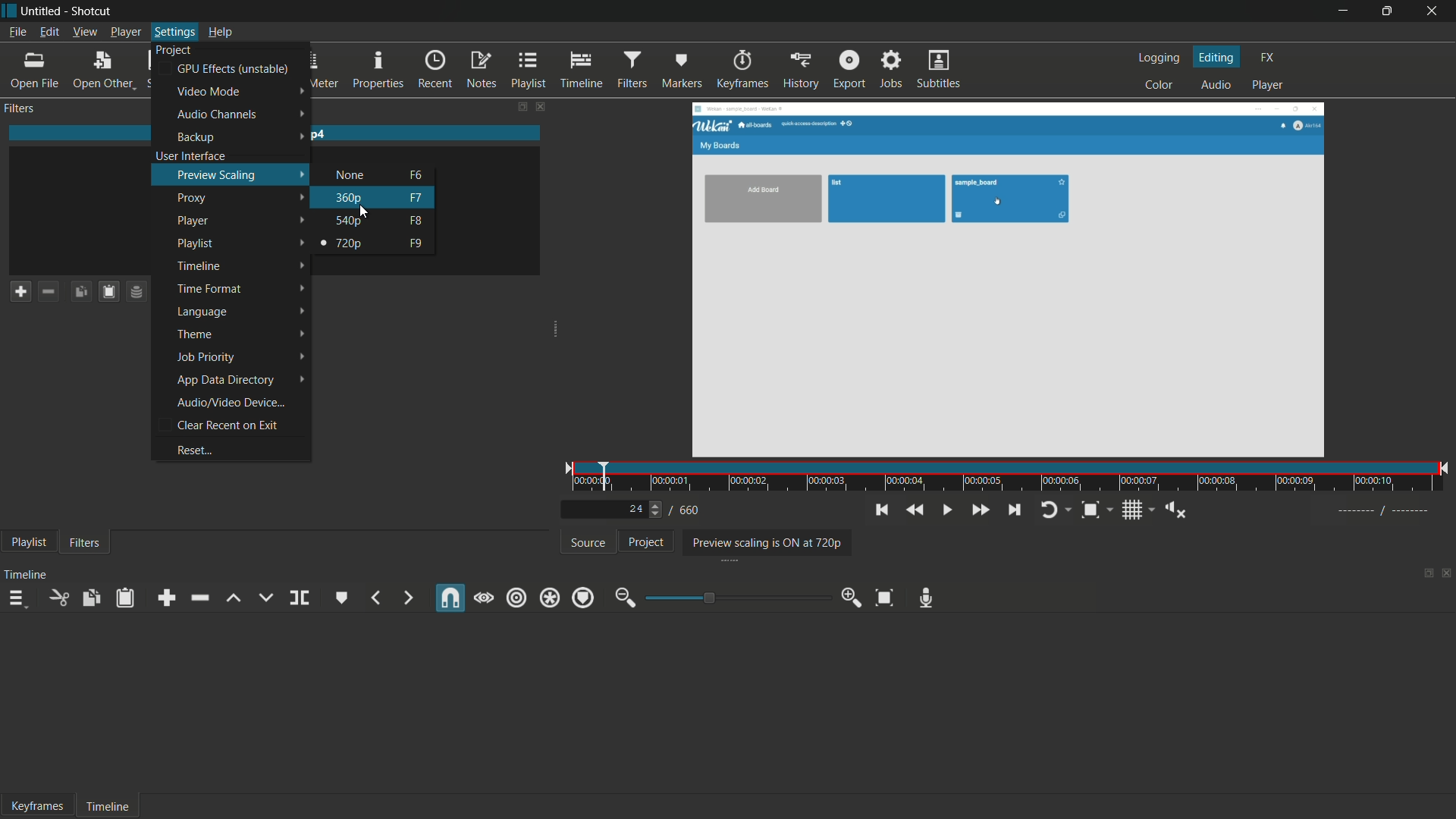  What do you see at coordinates (84, 31) in the screenshot?
I see `view menu` at bounding box center [84, 31].